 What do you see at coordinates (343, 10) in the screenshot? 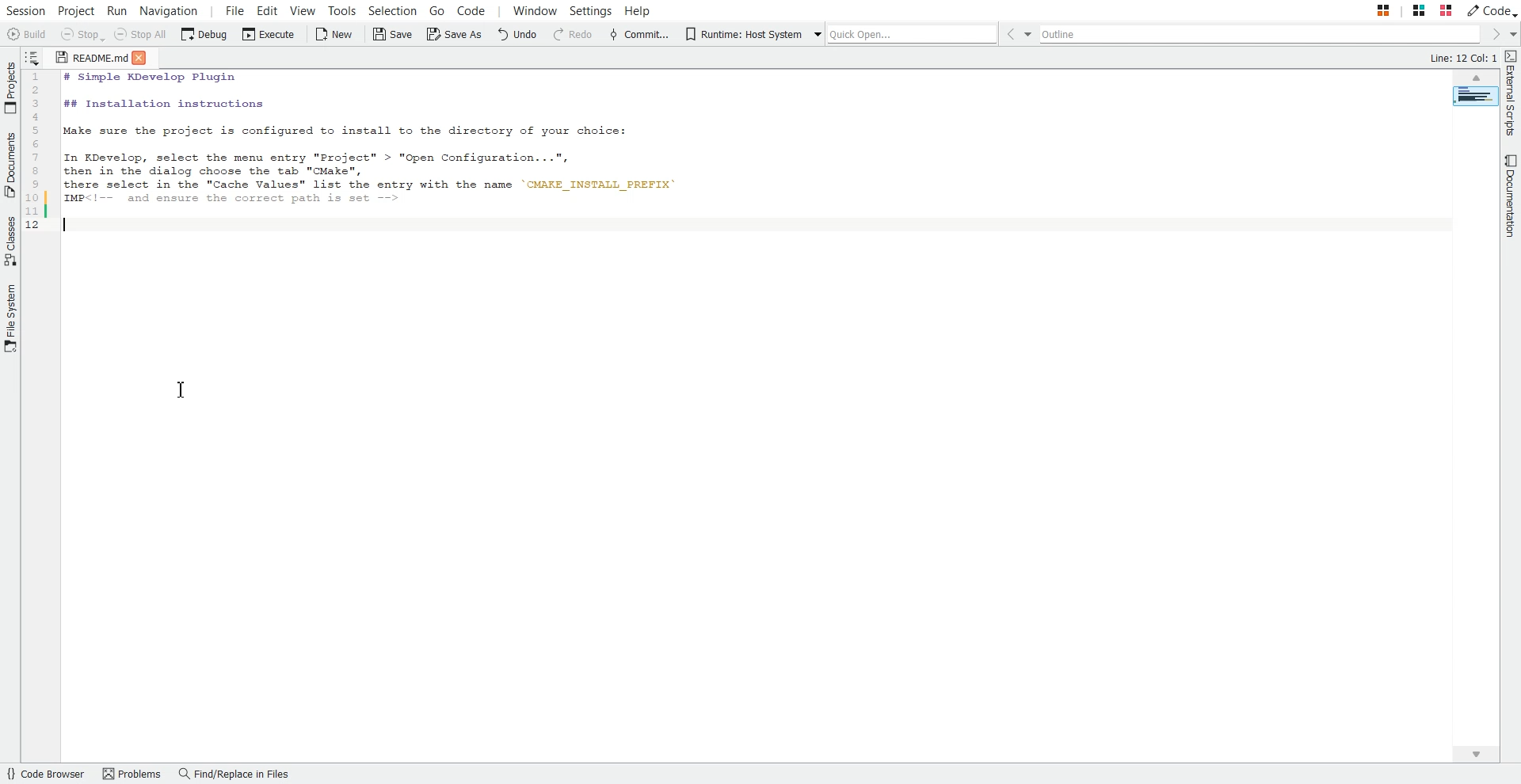
I see `Tools` at bounding box center [343, 10].